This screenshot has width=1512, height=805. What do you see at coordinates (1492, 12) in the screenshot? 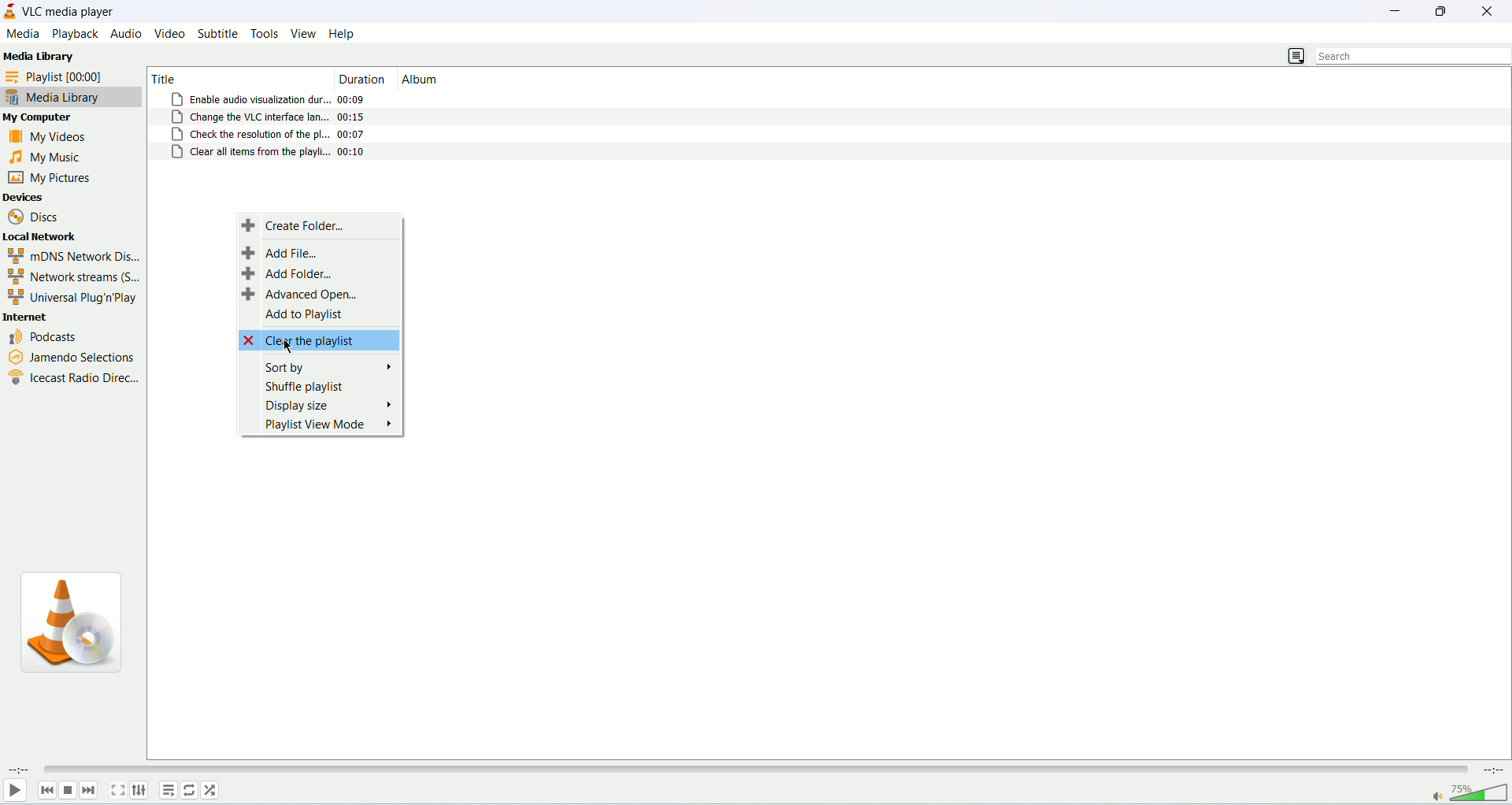
I see `close` at bounding box center [1492, 12].